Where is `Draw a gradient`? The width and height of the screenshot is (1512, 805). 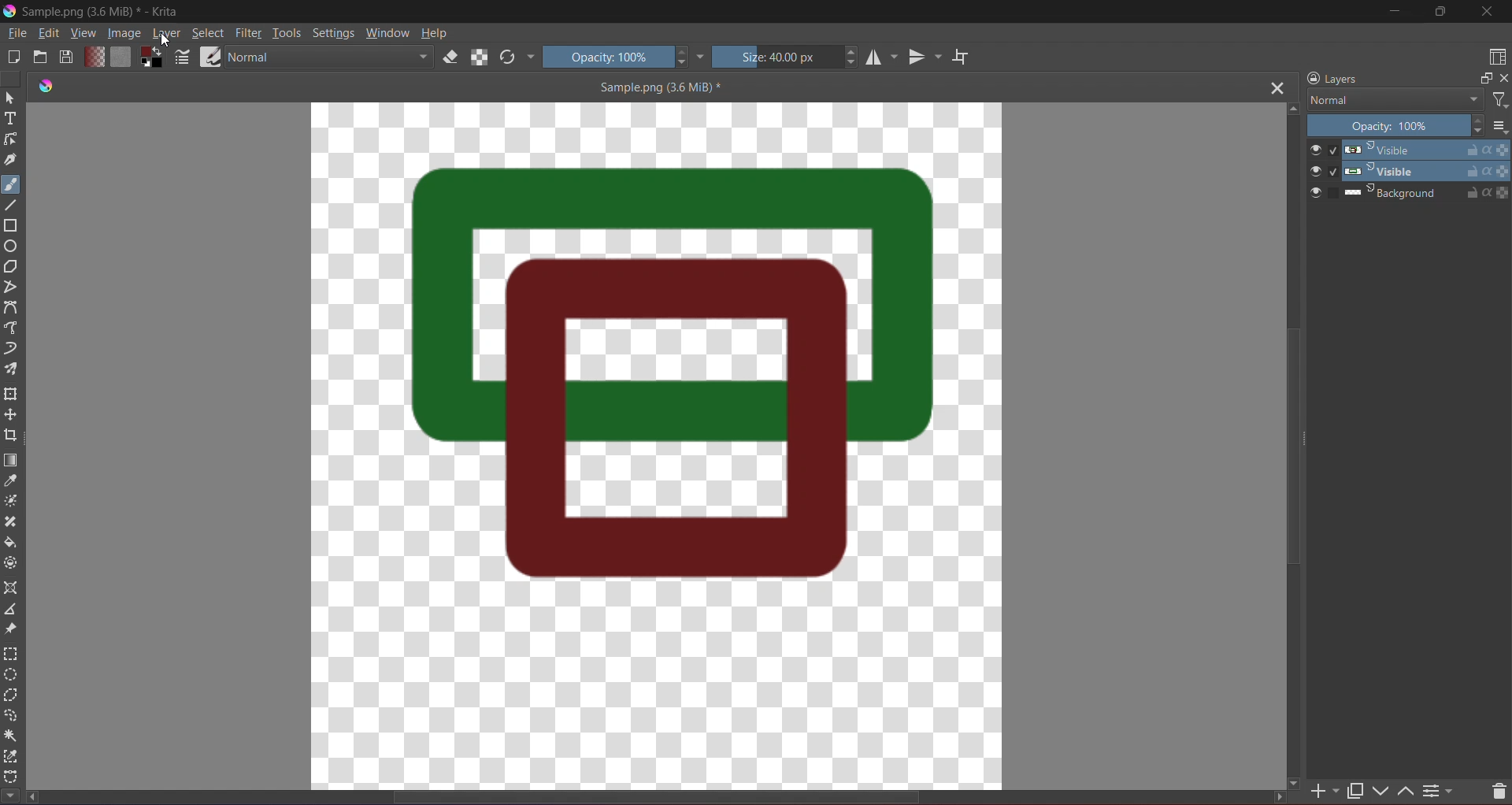 Draw a gradient is located at coordinates (12, 459).